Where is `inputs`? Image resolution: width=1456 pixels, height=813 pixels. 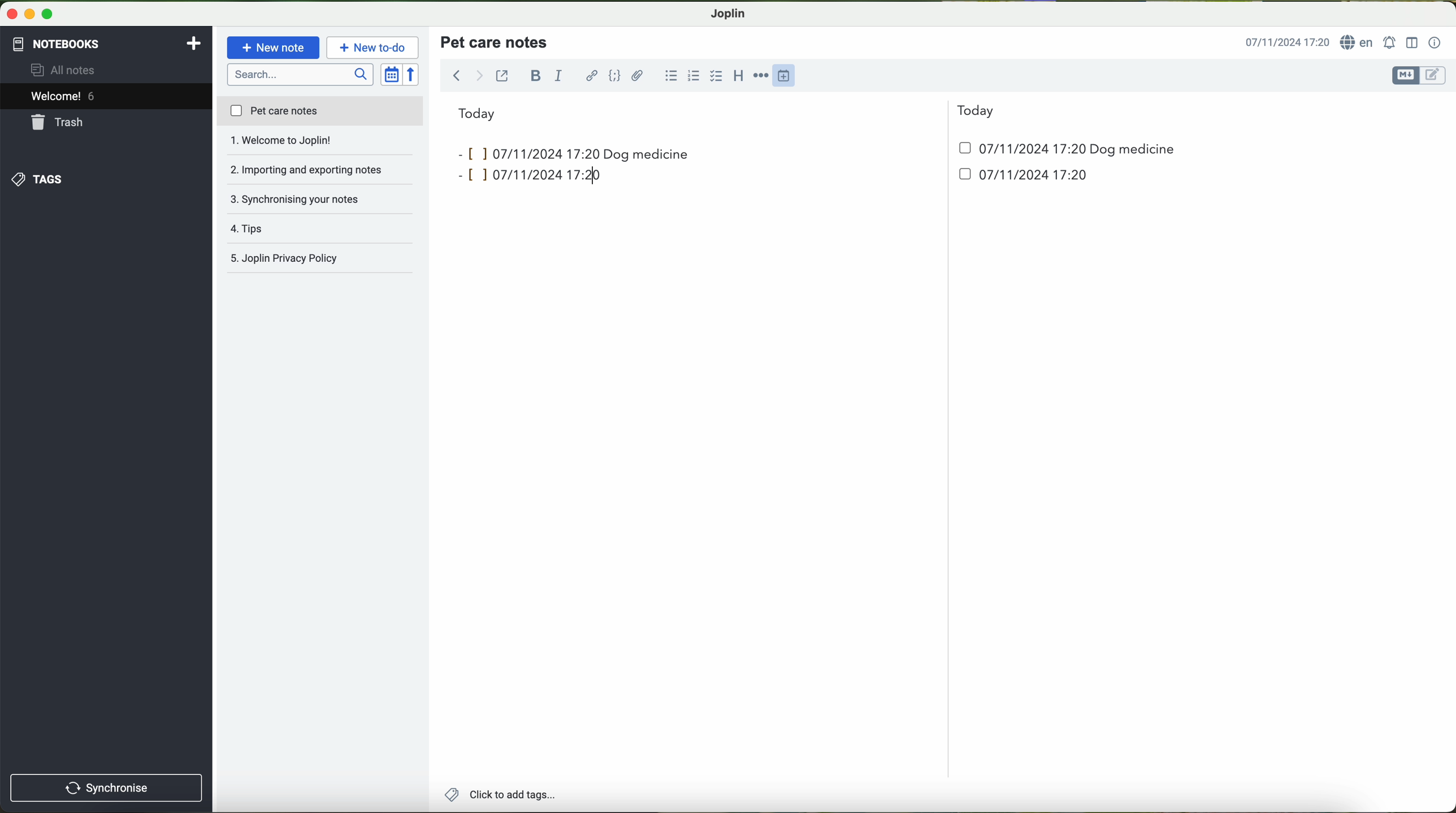 inputs is located at coordinates (524, 153).